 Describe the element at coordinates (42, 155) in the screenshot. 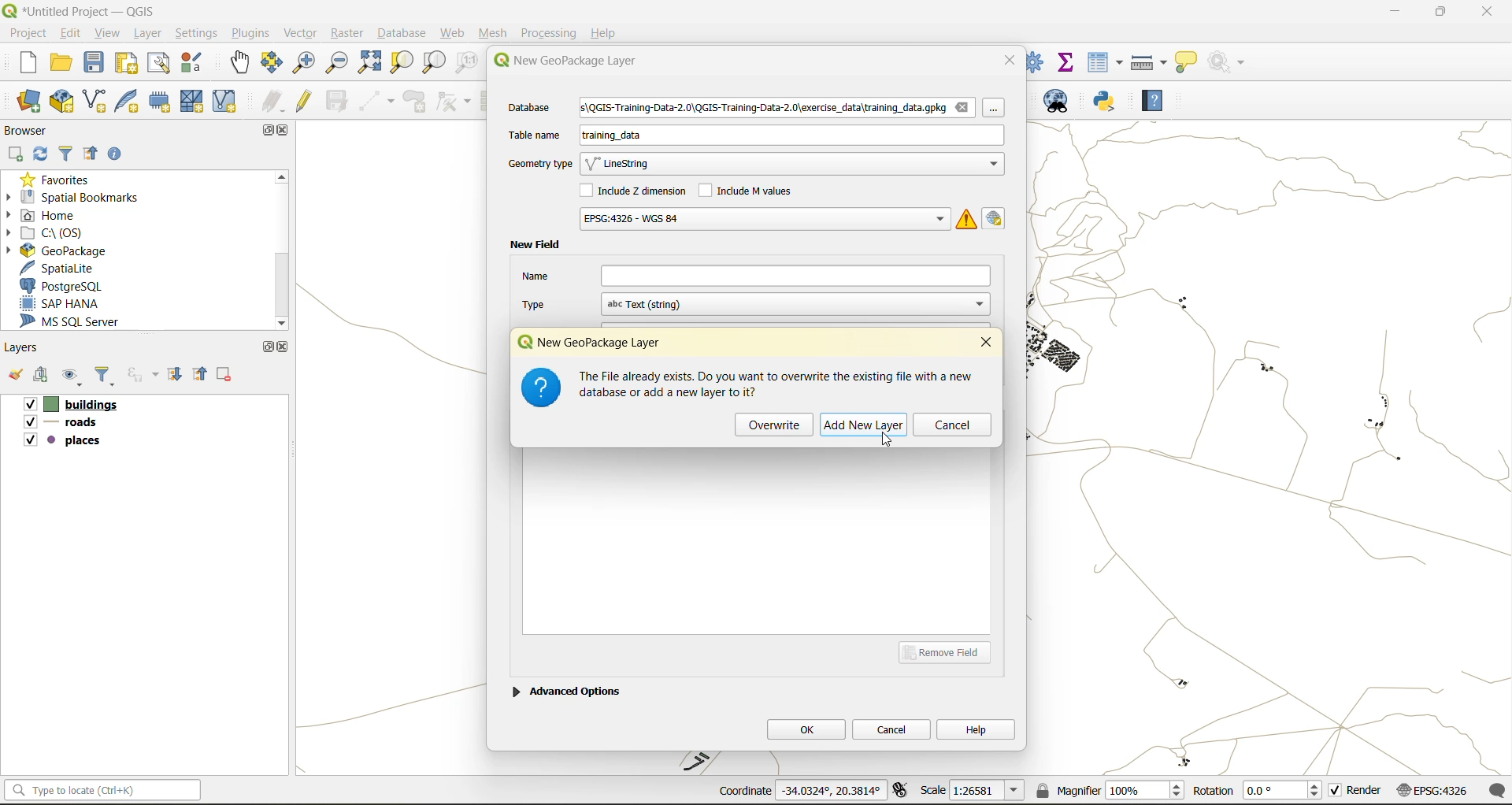

I see `refresh` at that location.